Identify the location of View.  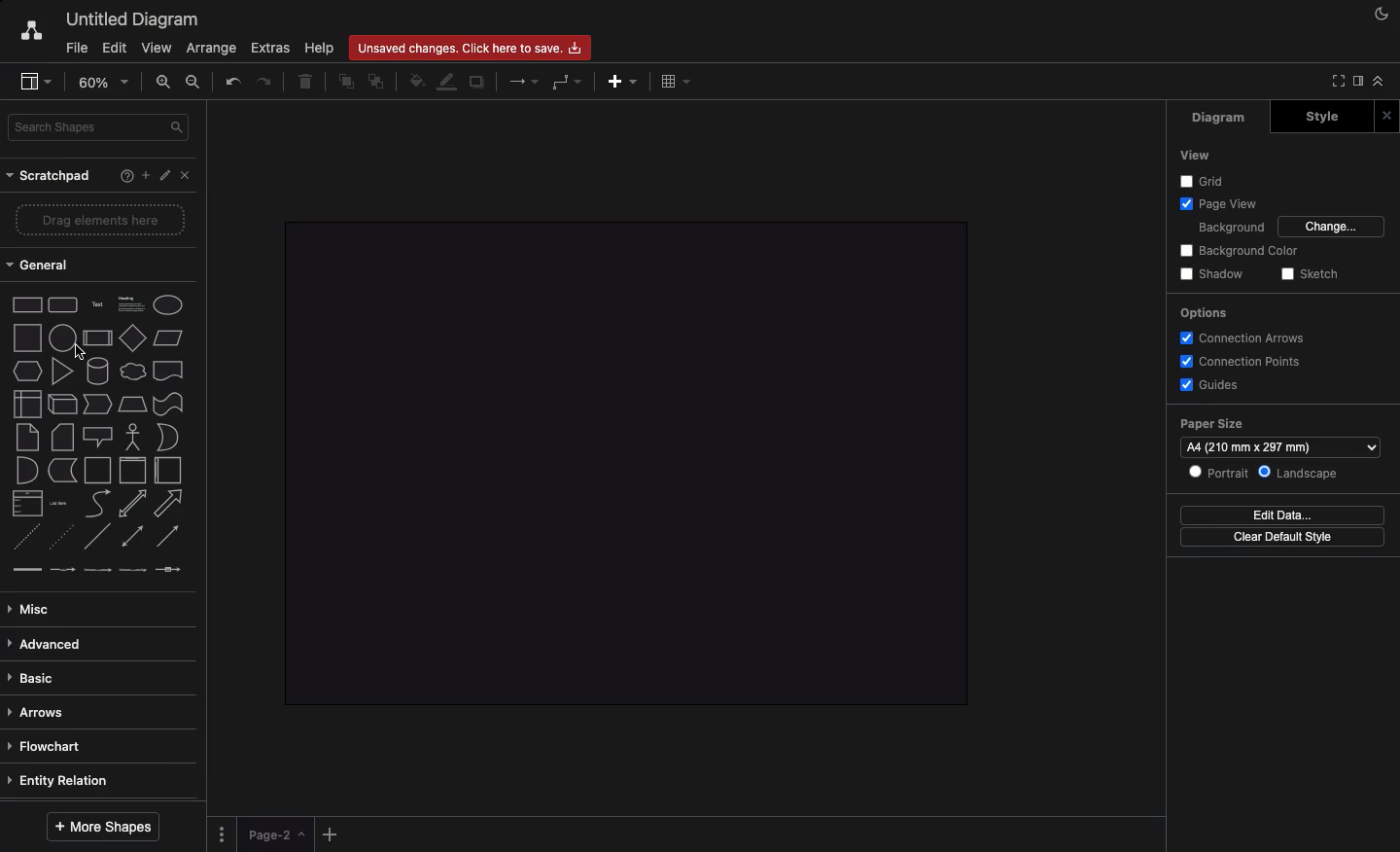
(1197, 158).